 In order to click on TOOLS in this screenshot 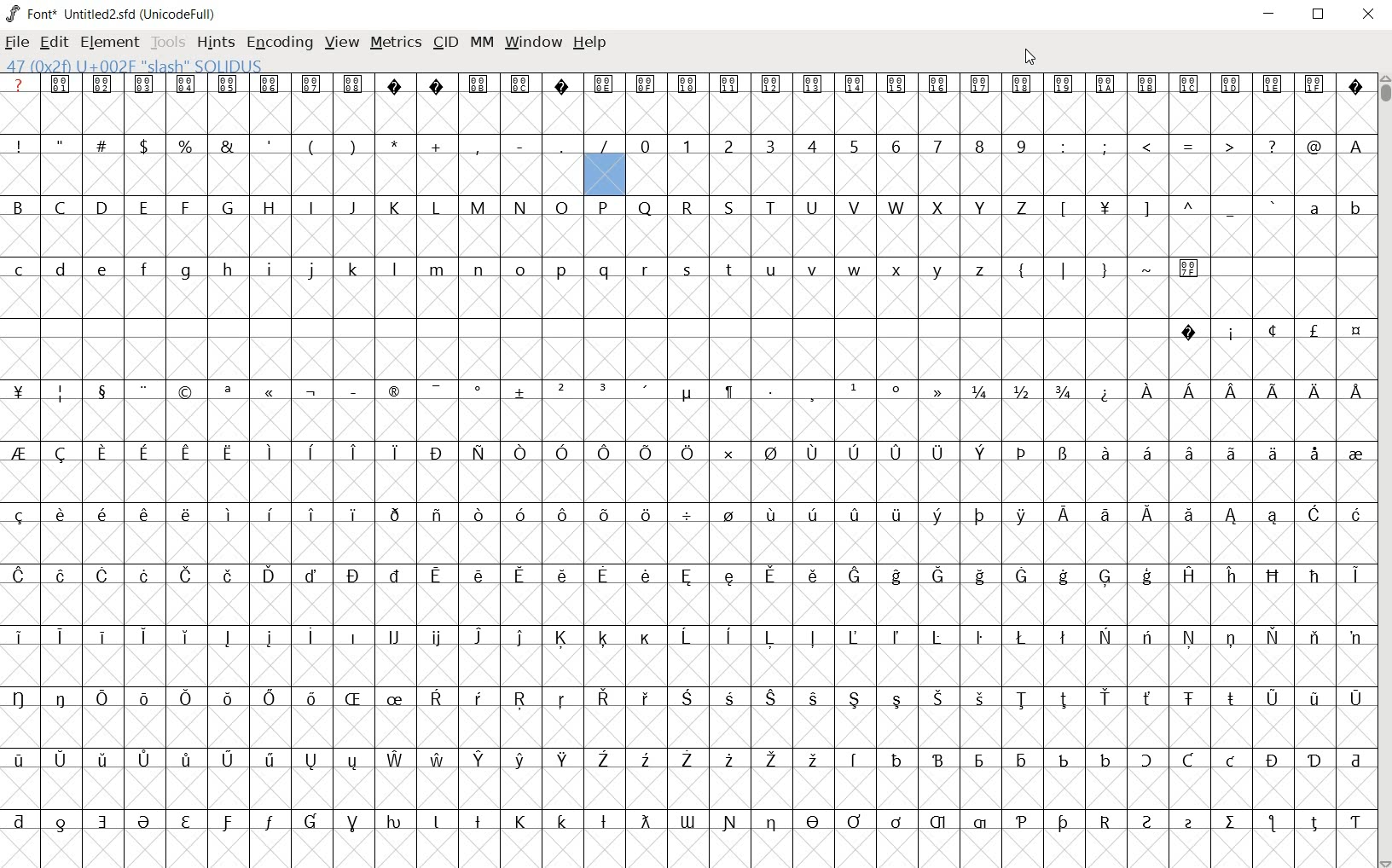, I will do `click(167, 43)`.